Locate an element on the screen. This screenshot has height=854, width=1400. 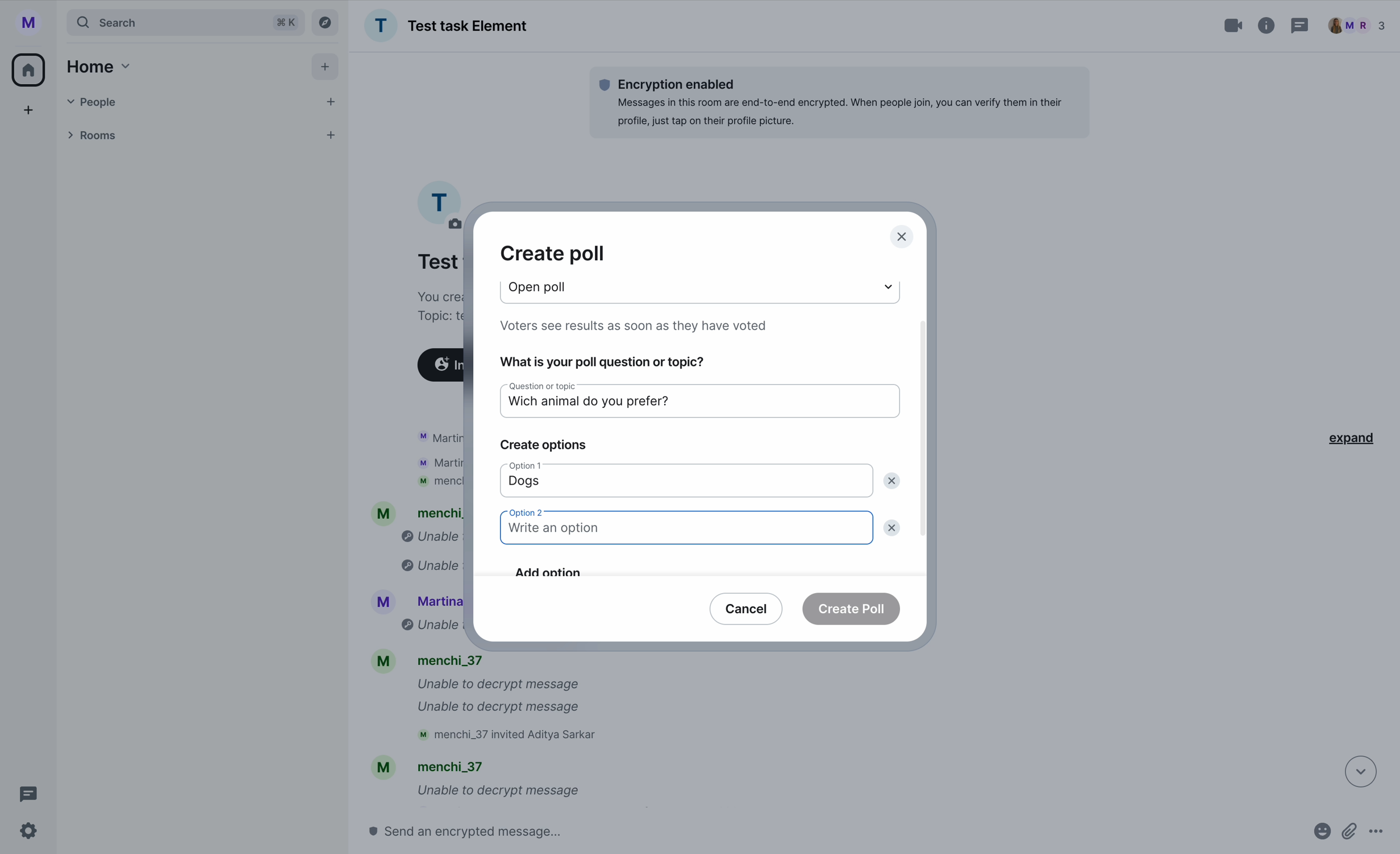
people tab is located at coordinates (203, 102).